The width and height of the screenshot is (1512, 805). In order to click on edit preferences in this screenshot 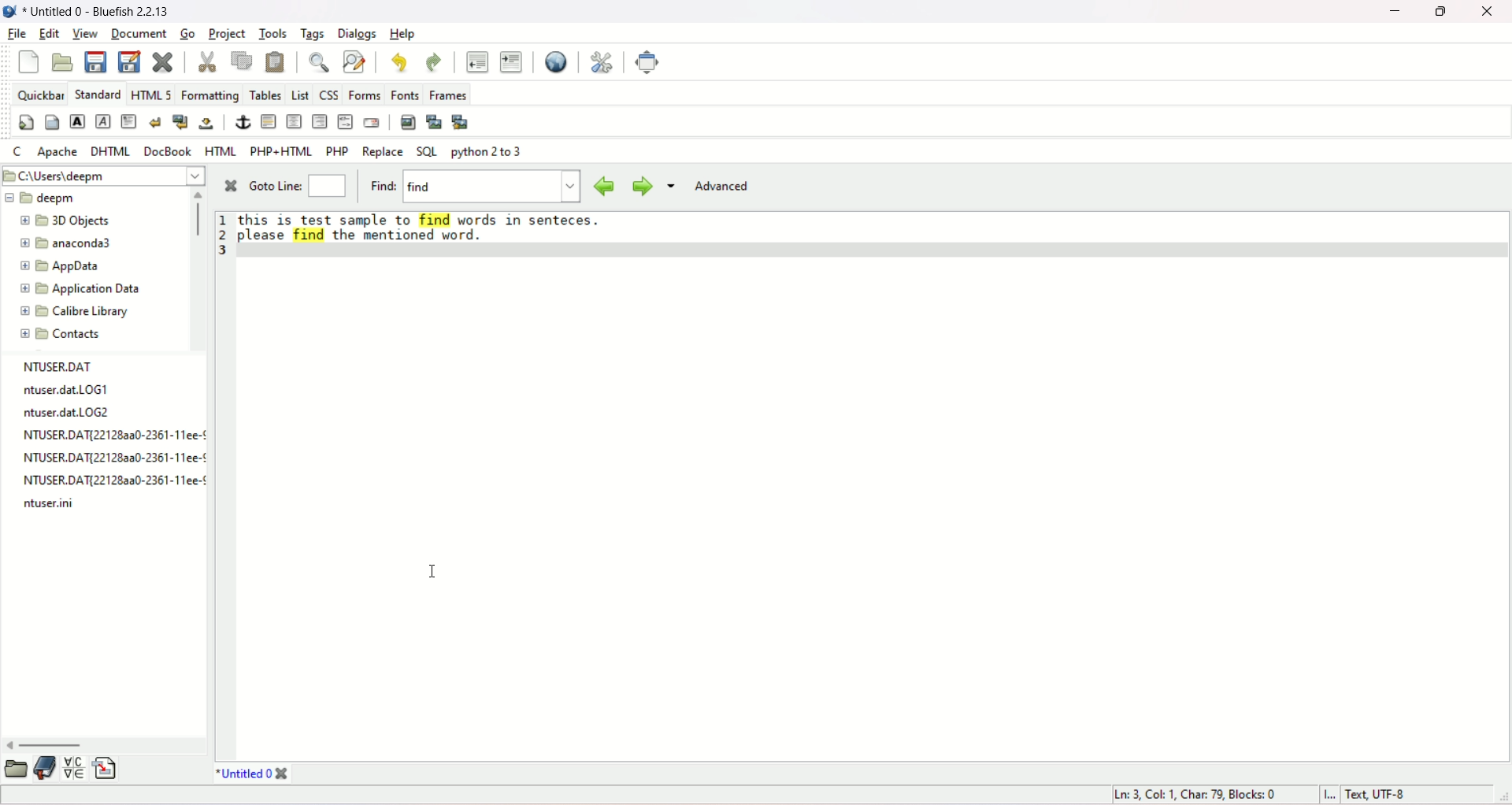, I will do `click(603, 61)`.